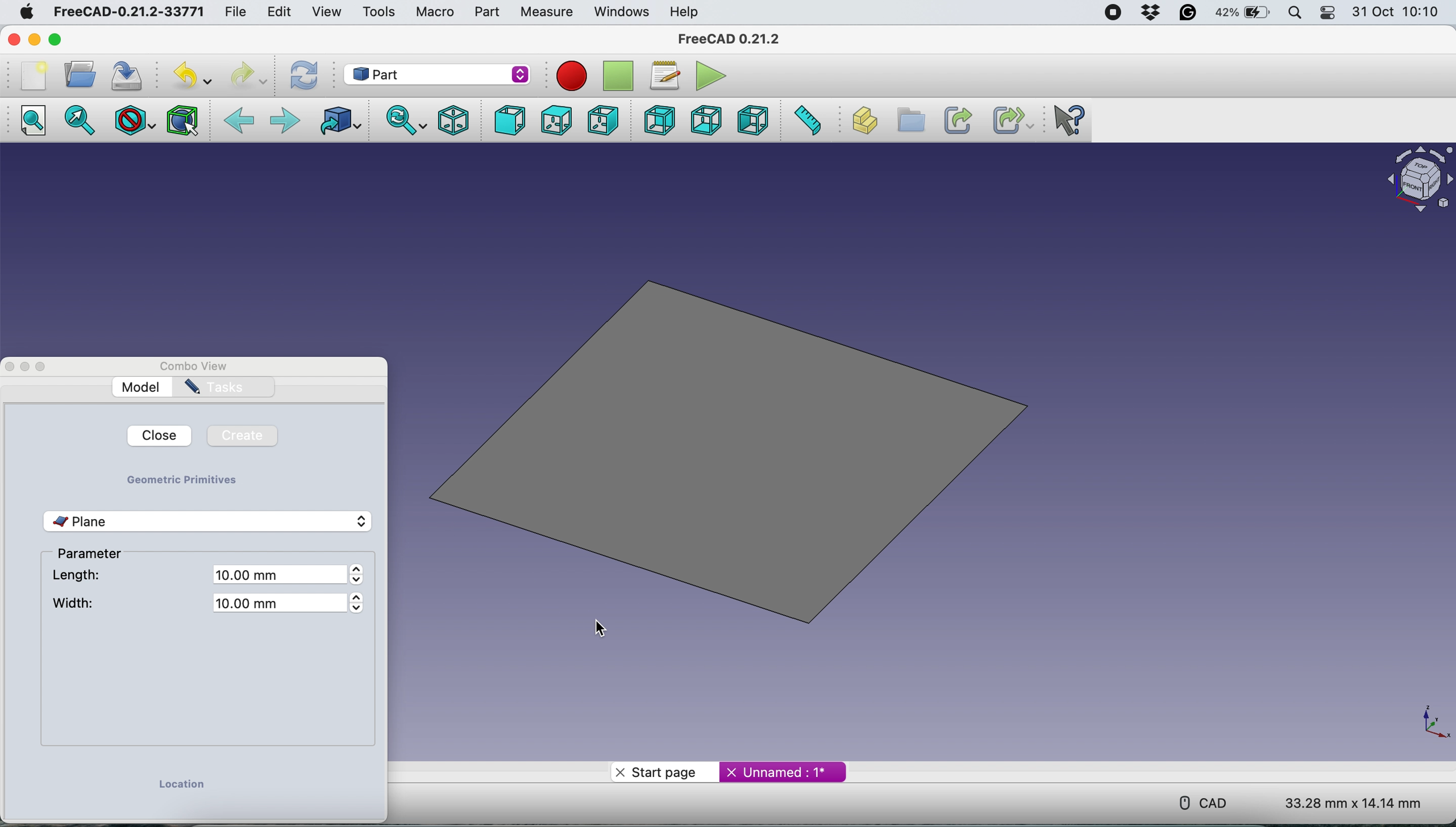 The height and width of the screenshot is (827, 1456). What do you see at coordinates (33, 75) in the screenshot?
I see `New` at bounding box center [33, 75].